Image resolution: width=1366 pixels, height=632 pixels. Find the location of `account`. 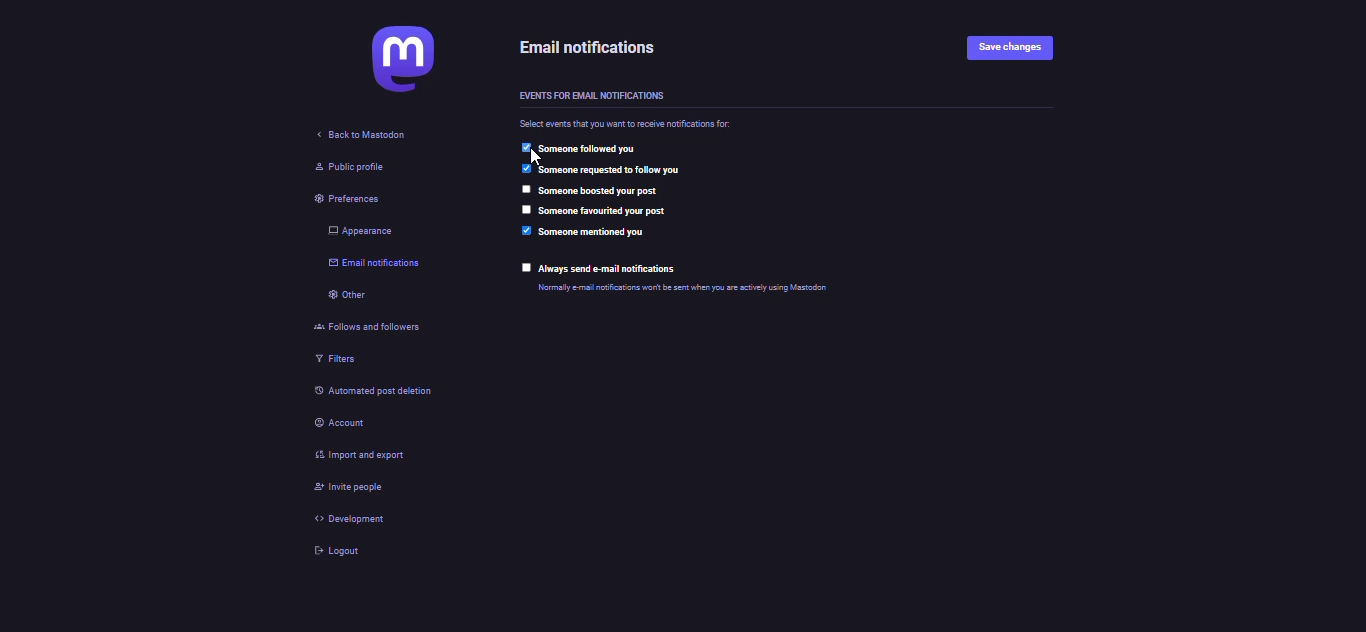

account is located at coordinates (344, 424).